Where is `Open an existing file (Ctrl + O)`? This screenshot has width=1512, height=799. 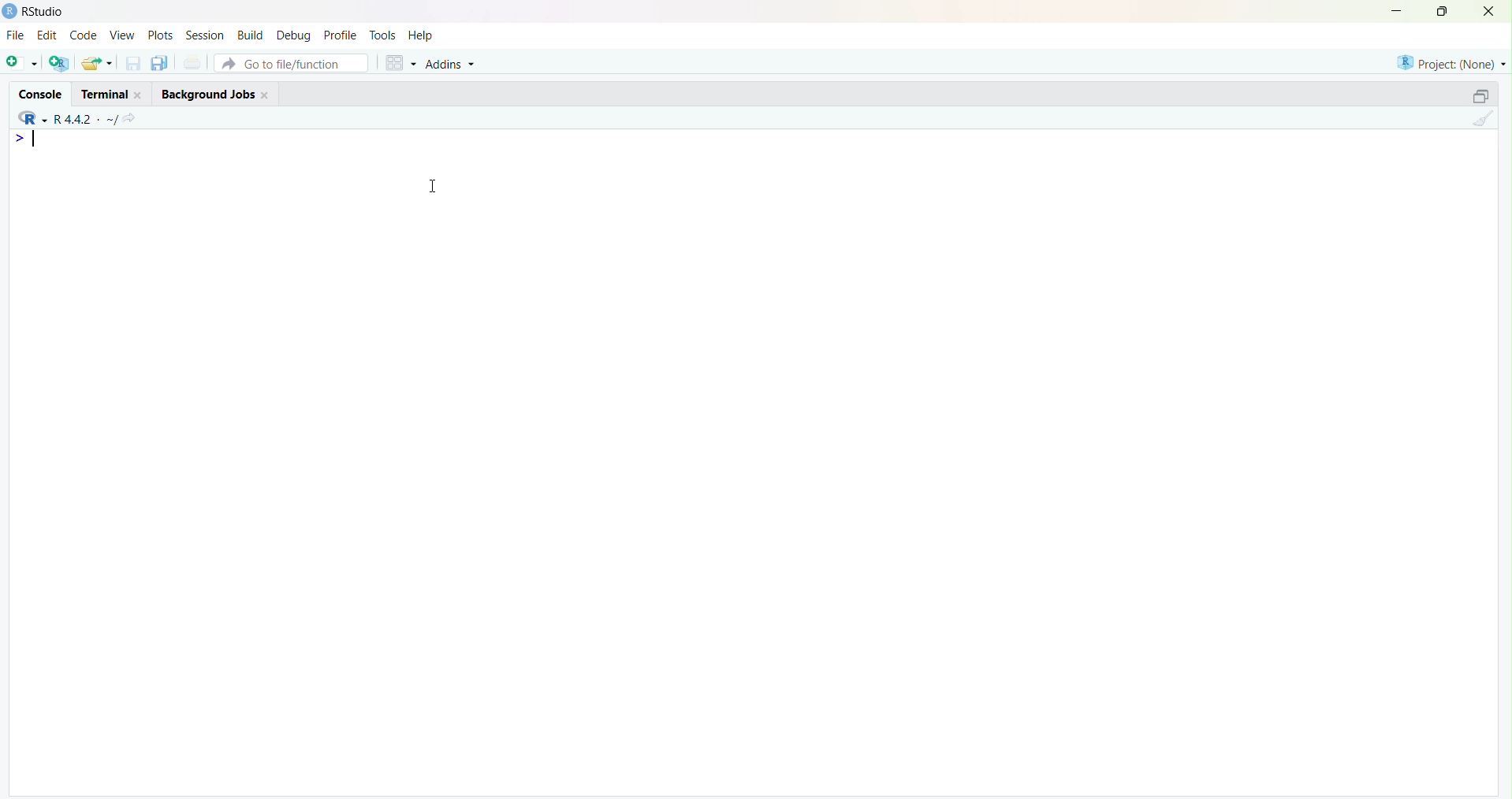
Open an existing file (Ctrl + O) is located at coordinates (99, 63).